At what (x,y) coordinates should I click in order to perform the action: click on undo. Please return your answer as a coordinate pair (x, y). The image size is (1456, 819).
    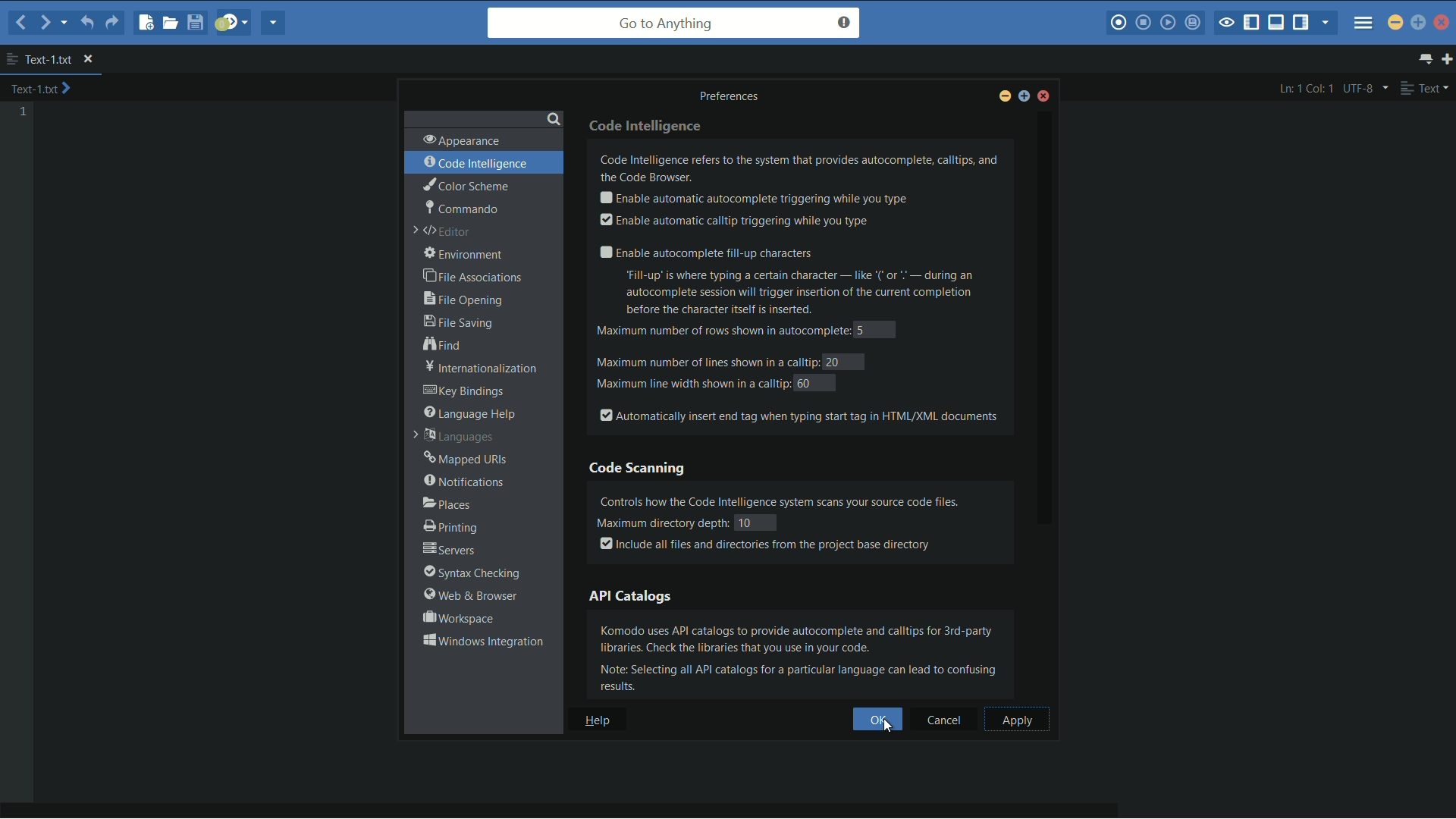
    Looking at the image, I should click on (85, 24).